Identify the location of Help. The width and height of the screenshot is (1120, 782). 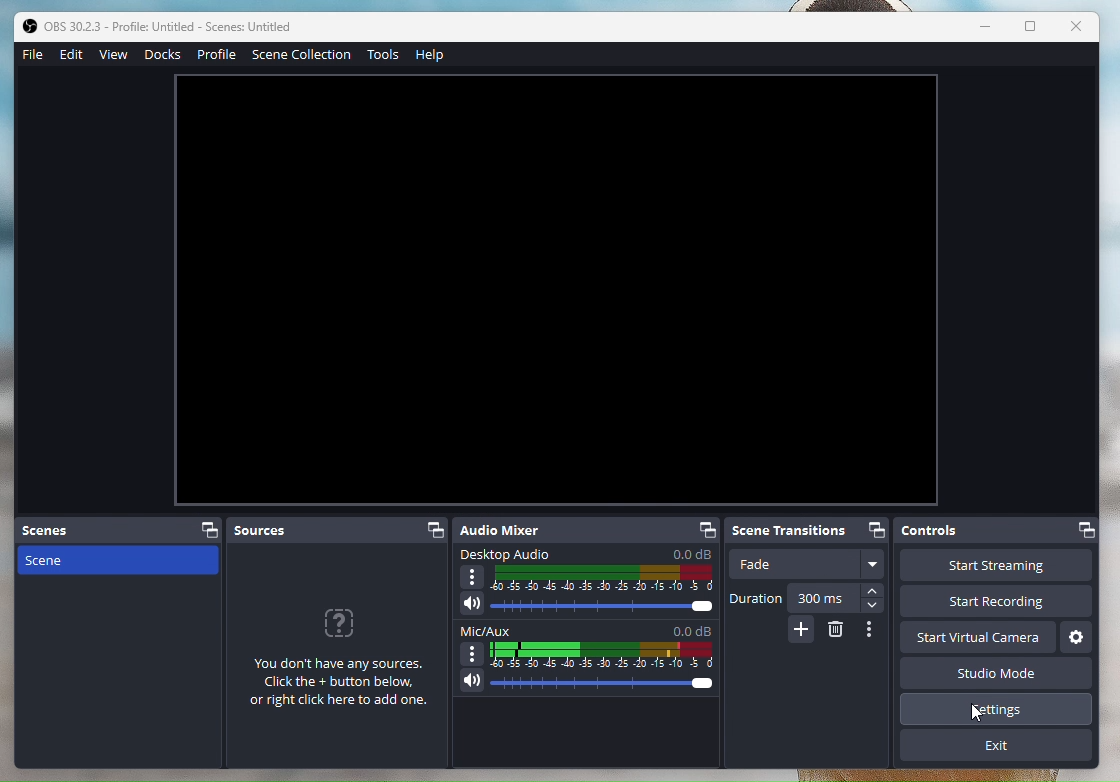
(432, 58).